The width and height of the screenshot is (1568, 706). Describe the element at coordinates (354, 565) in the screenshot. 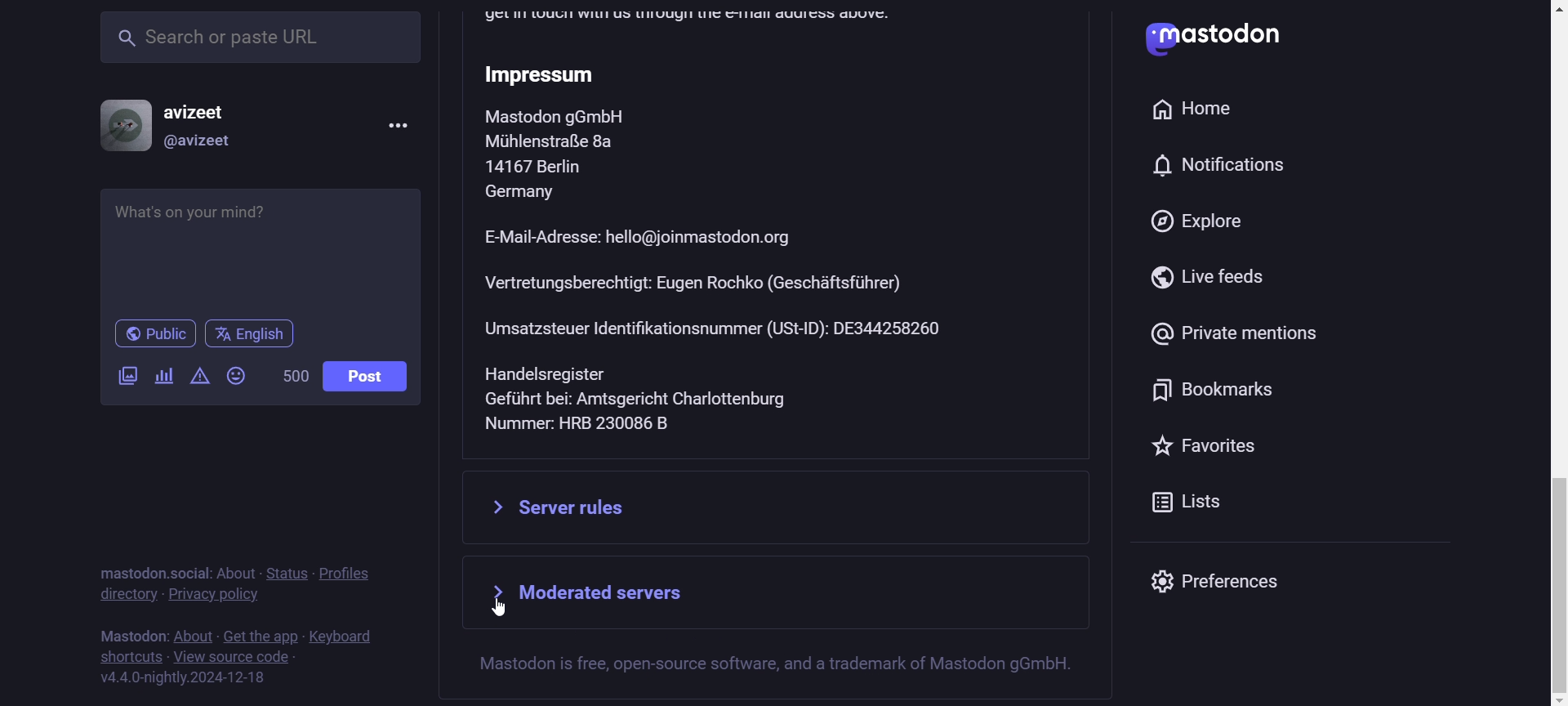

I see `policies ` at that location.